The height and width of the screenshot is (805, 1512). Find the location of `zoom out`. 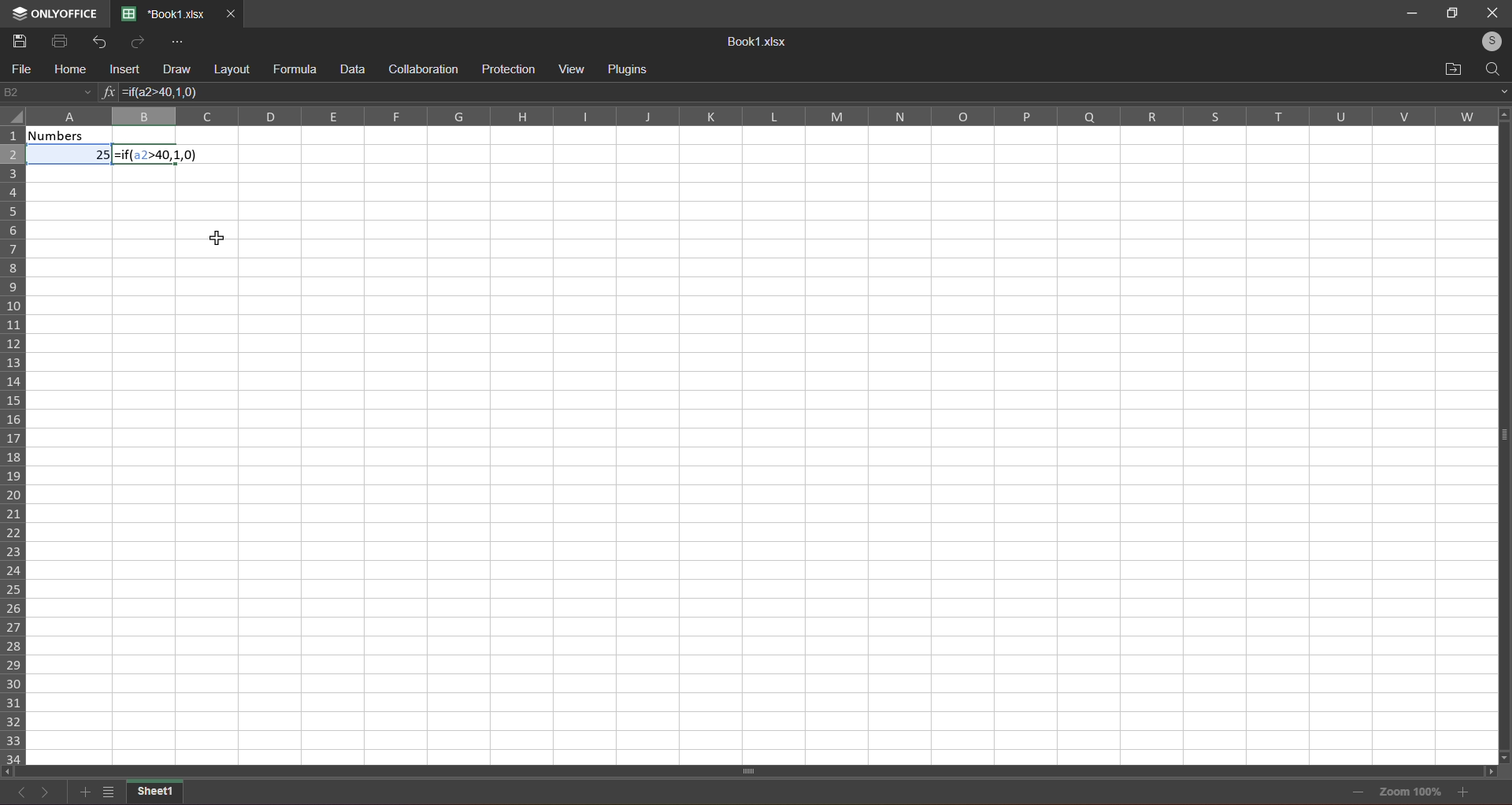

zoom out is located at coordinates (1357, 791).